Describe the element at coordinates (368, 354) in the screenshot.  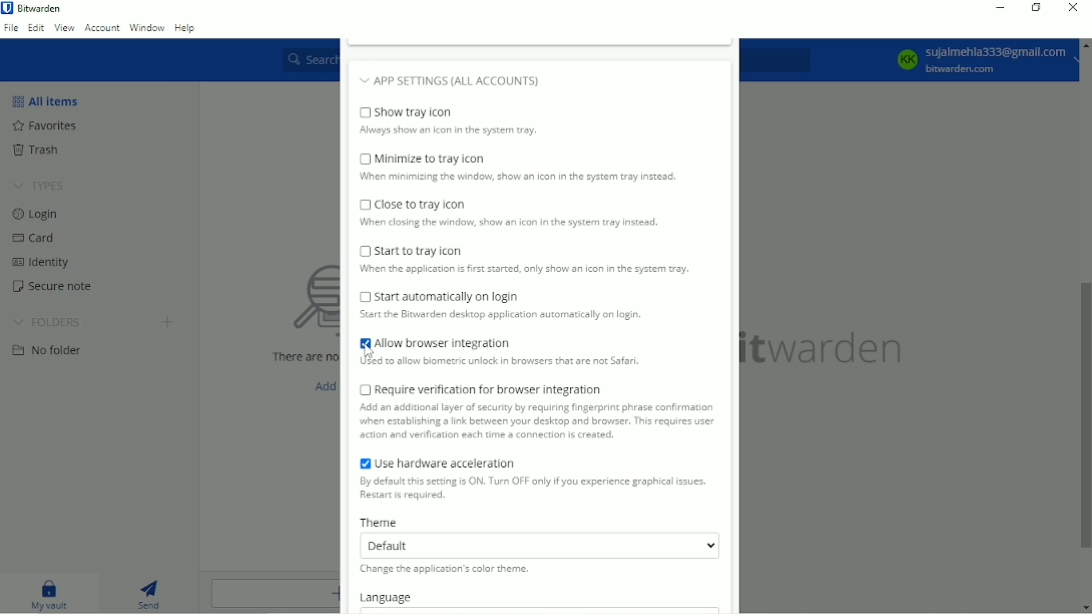
I see `Cursor` at that location.